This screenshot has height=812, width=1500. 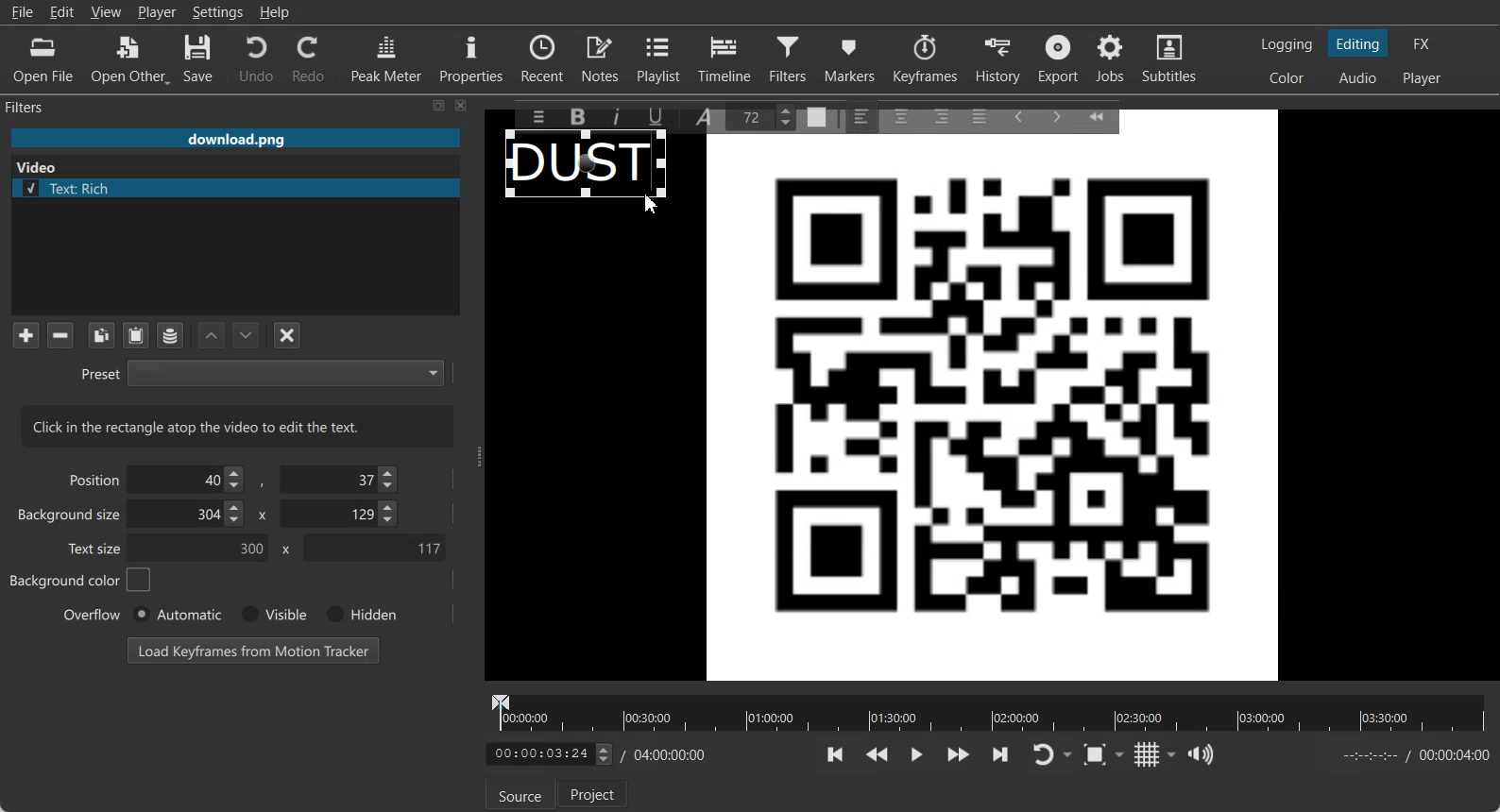 What do you see at coordinates (374, 547) in the screenshot?
I see `Text Size Y- Coordinate` at bounding box center [374, 547].